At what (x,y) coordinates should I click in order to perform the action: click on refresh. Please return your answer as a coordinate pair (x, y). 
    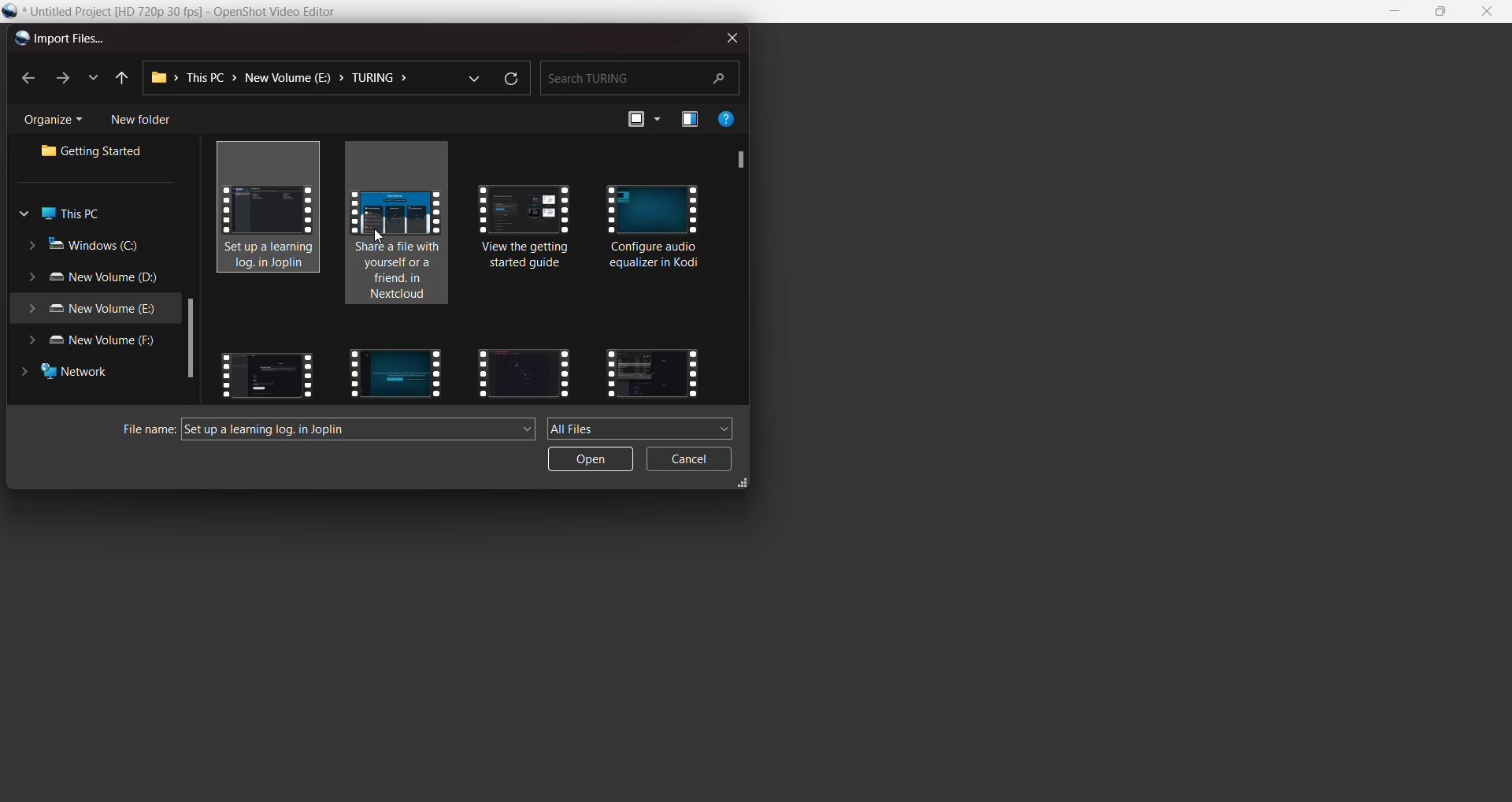
    Looking at the image, I should click on (510, 80).